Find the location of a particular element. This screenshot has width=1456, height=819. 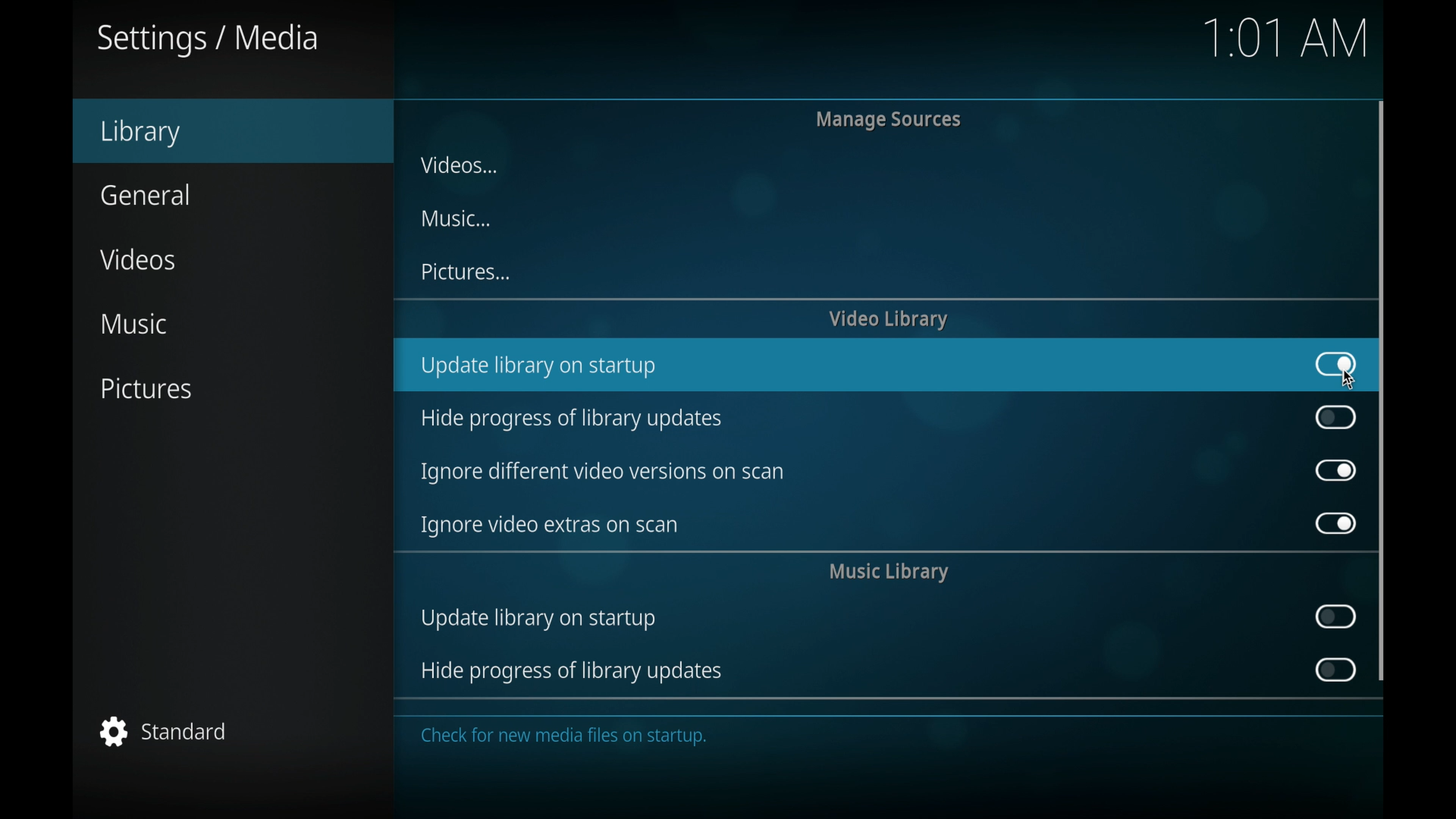

Check for new media files on startup. is located at coordinates (572, 741).